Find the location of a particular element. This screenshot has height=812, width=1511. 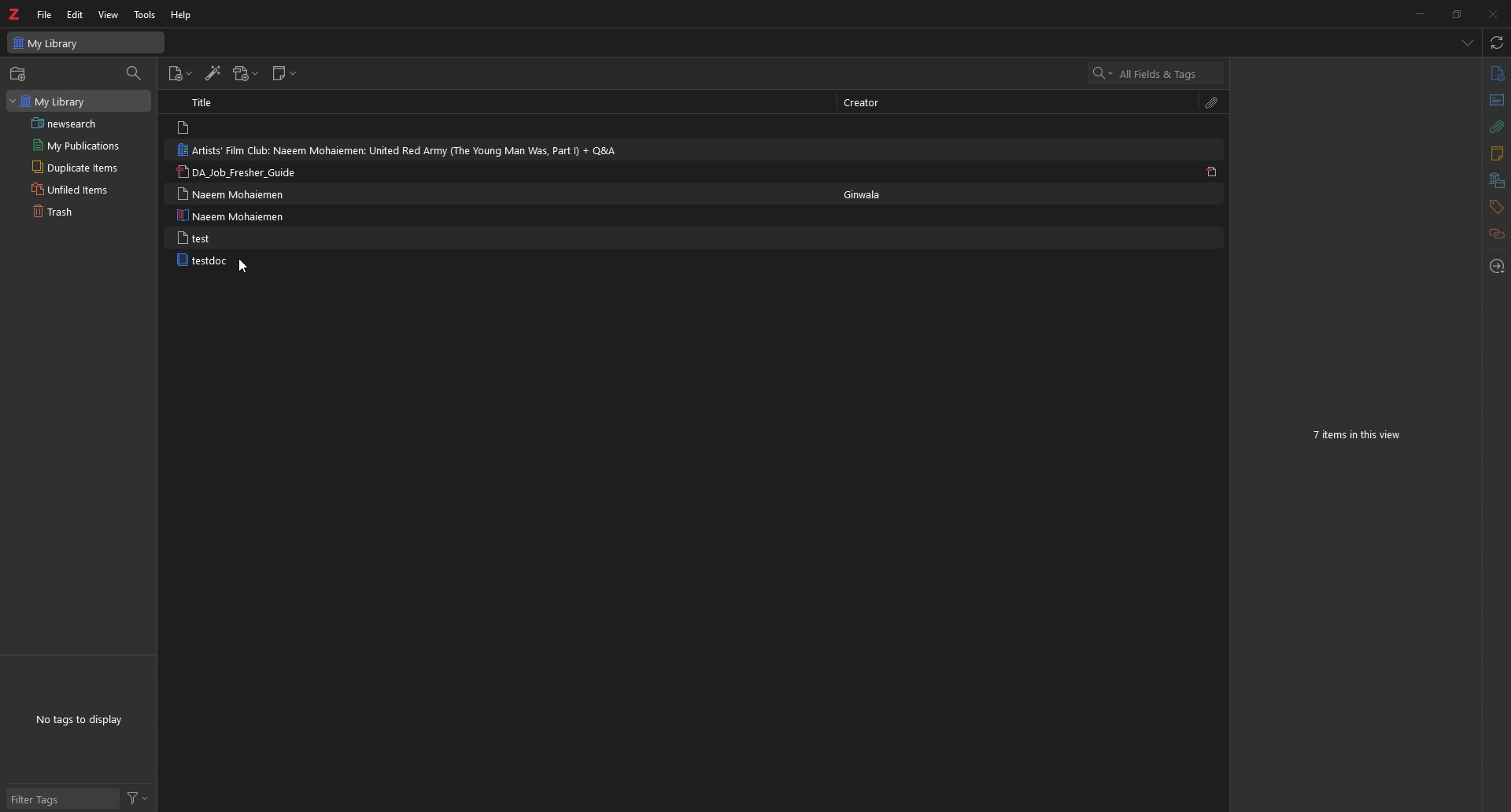

cursor is located at coordinates (241, 268).